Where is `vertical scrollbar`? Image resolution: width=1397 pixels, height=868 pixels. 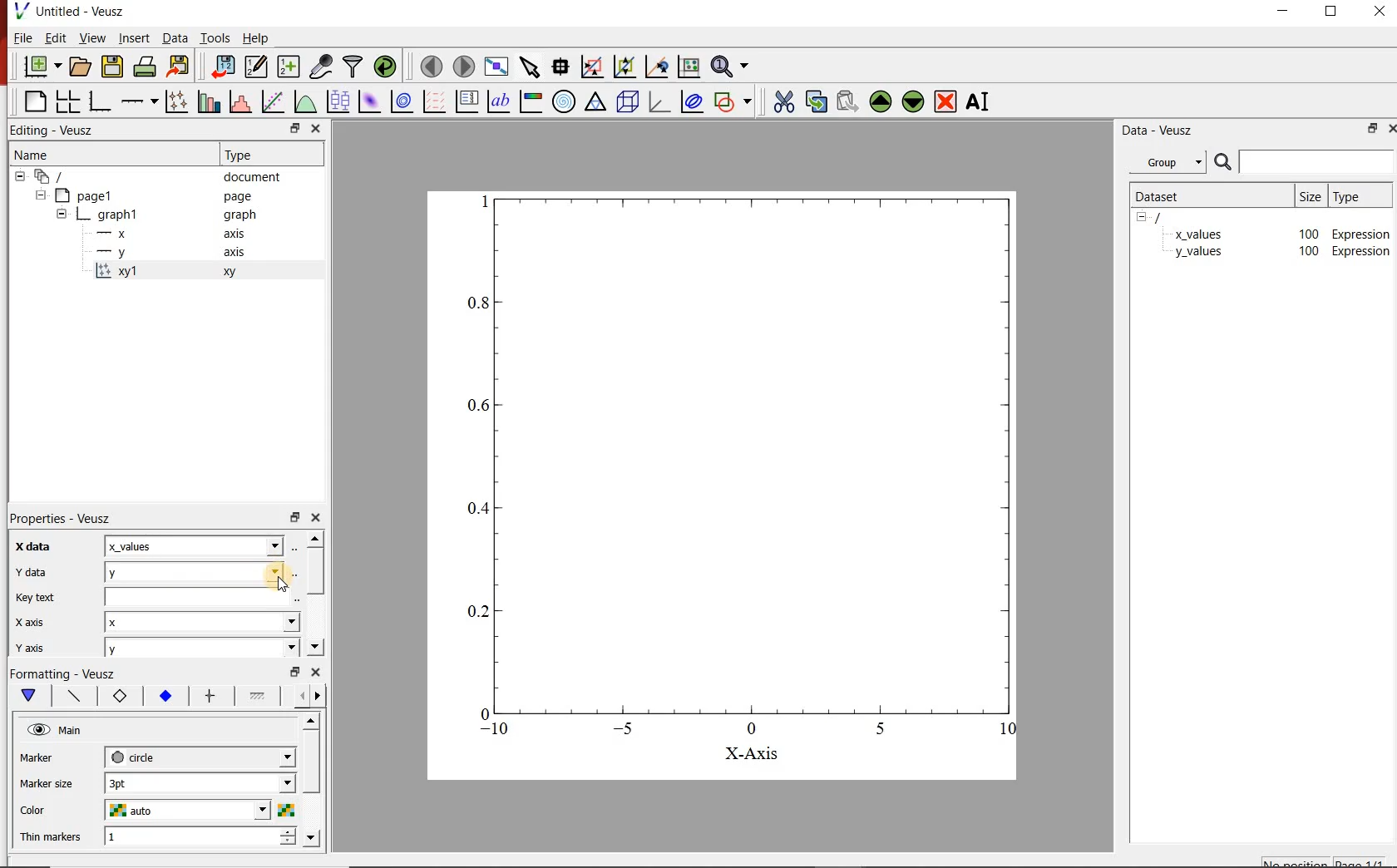
vertical scrollbar is located at coordinates (316, 571).